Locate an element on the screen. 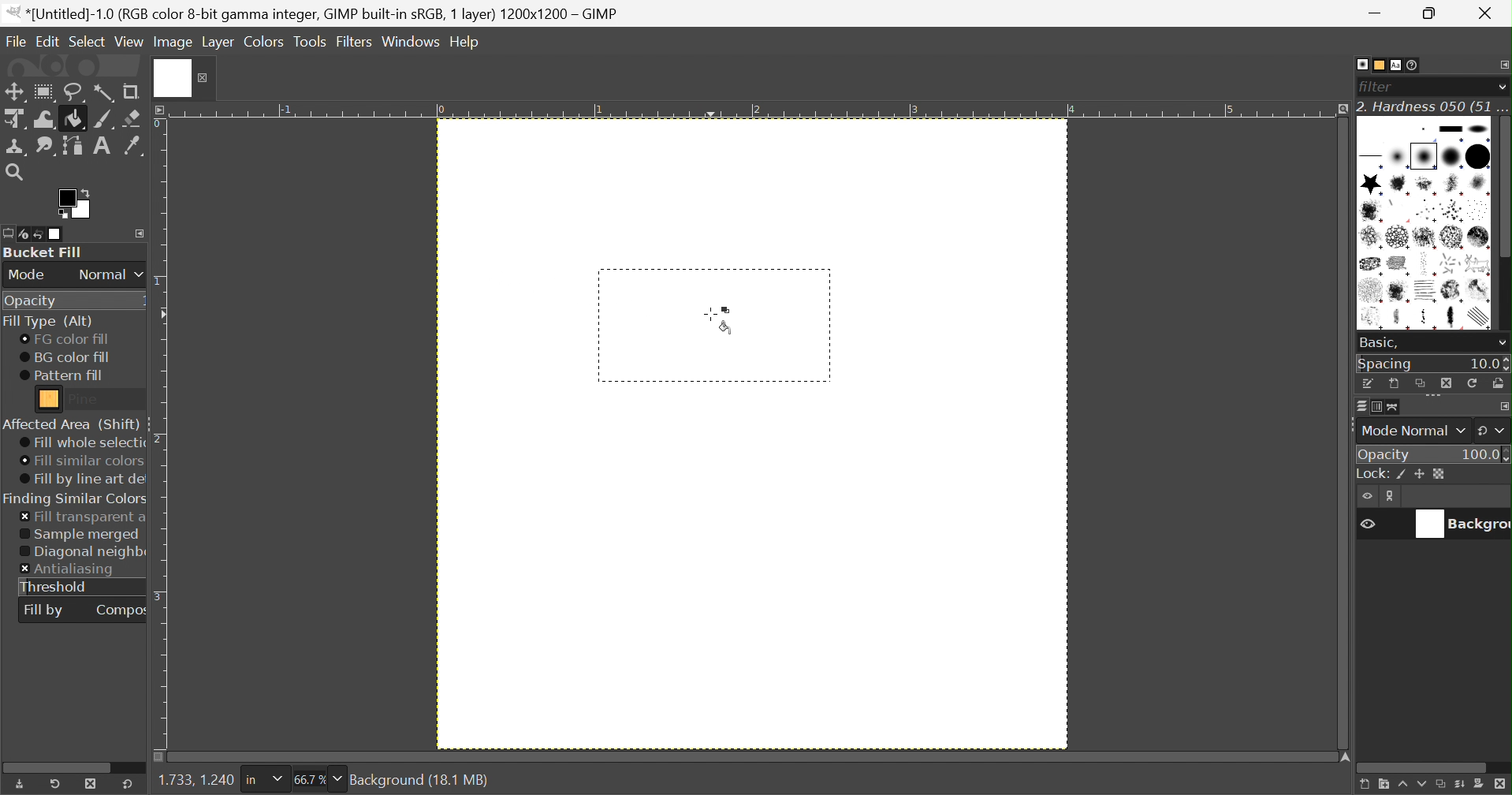  Configure this tab is located at coordinates (1503, 65).